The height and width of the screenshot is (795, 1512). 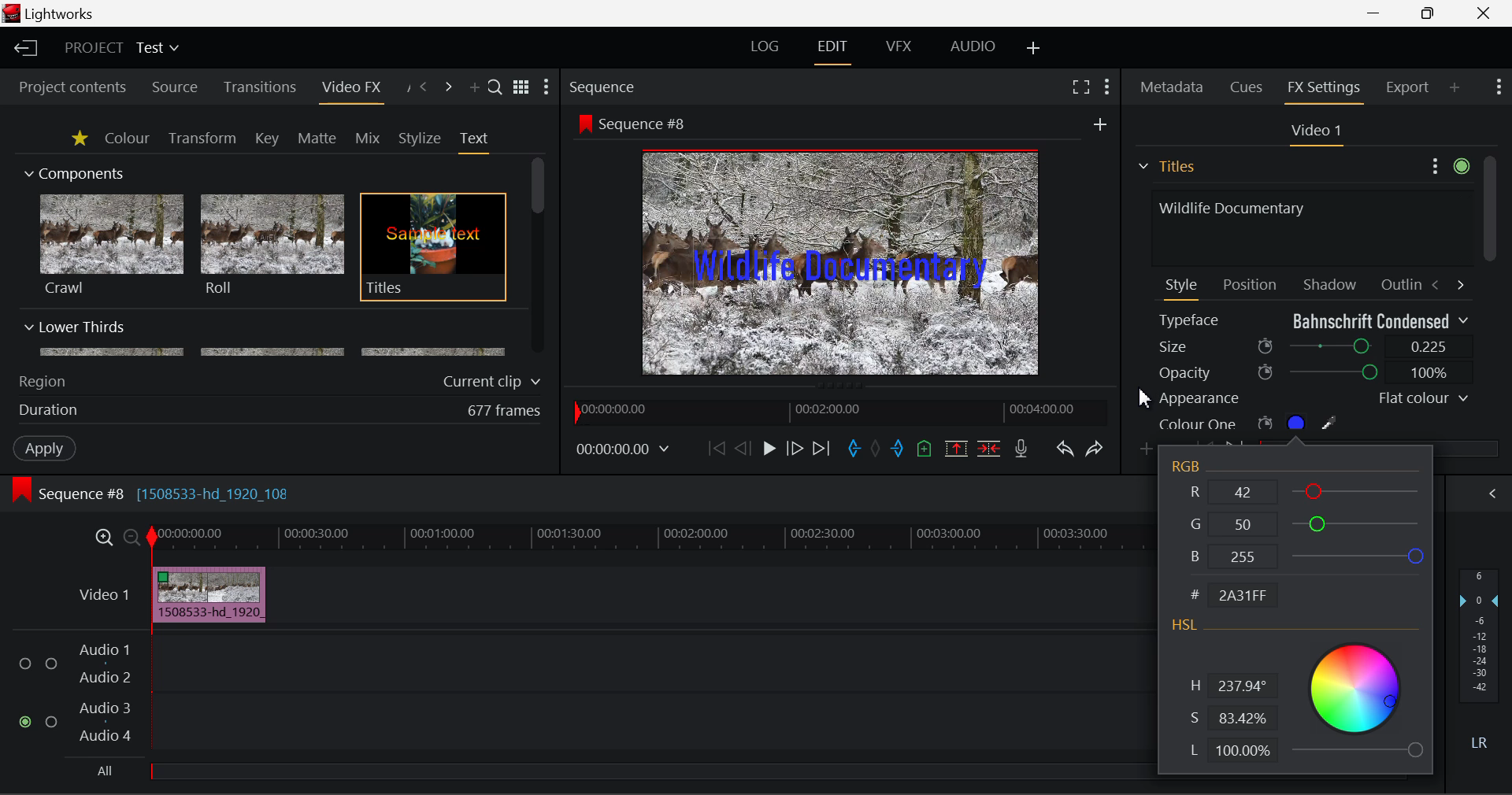 I want to click on Audio 3, so click(x=104, y=707).